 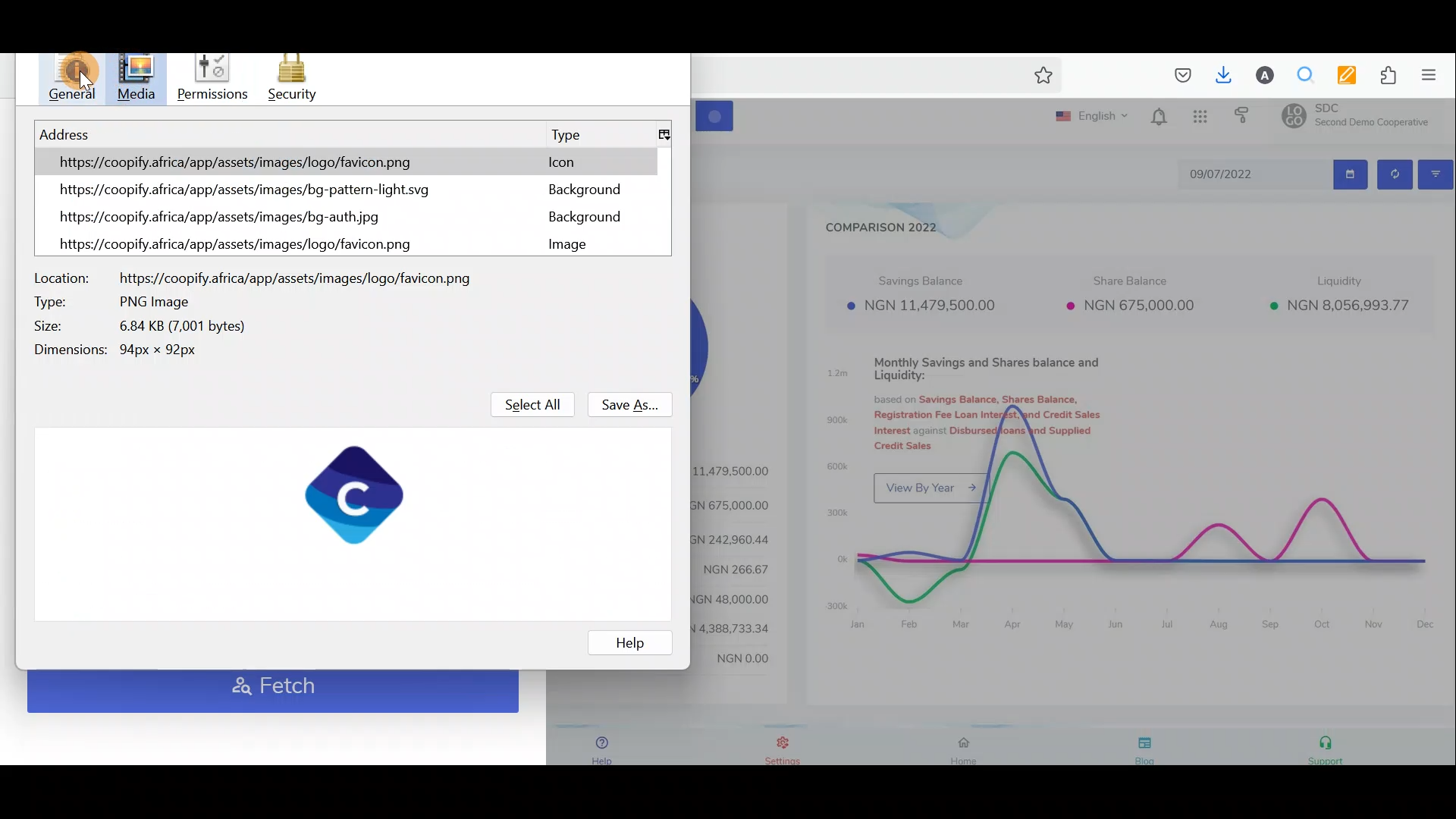 I want to click on Permissions, so click(x=215, y=75).